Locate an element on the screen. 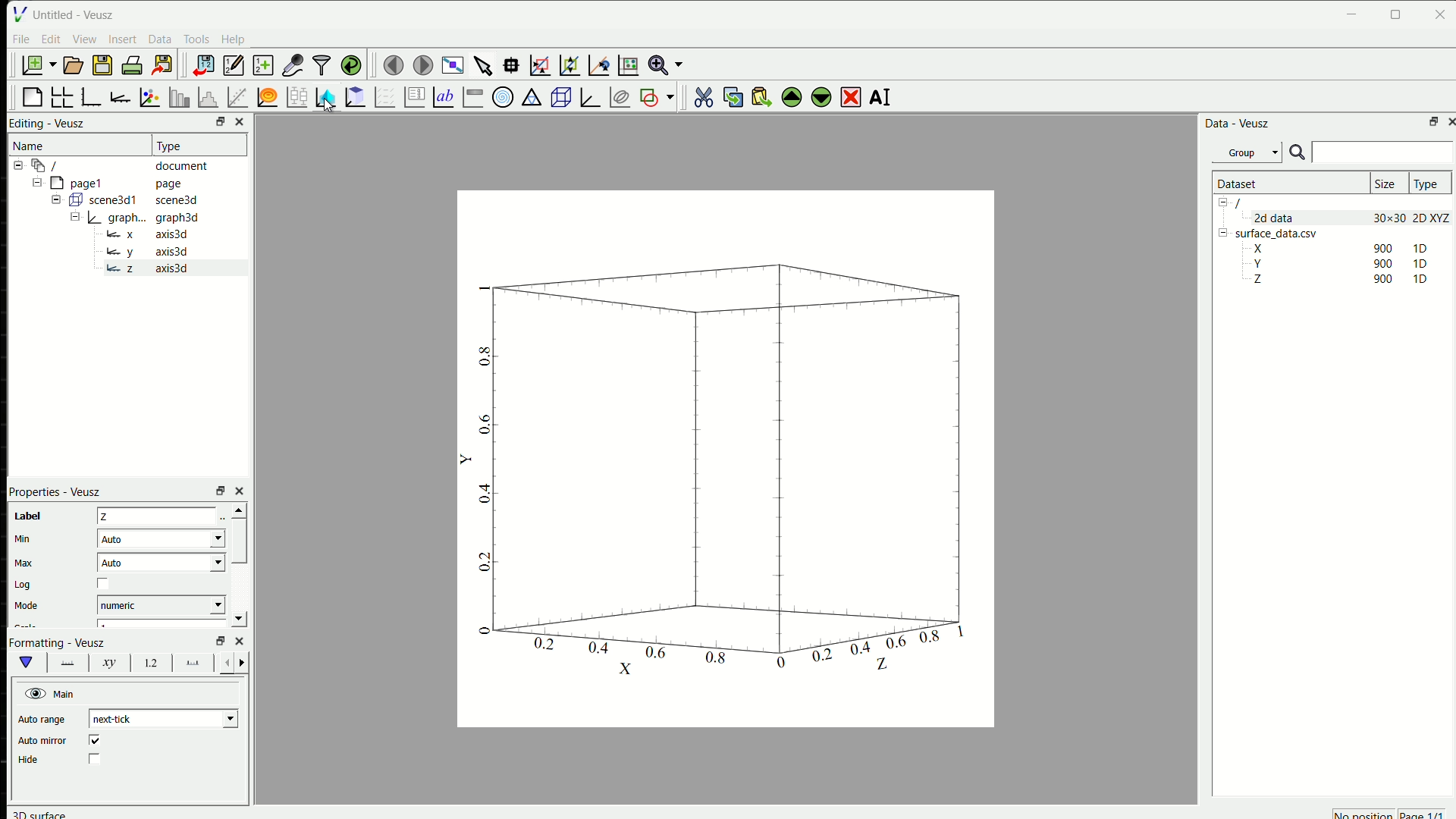  Collapse /expand is located at coordinates (20, 165).